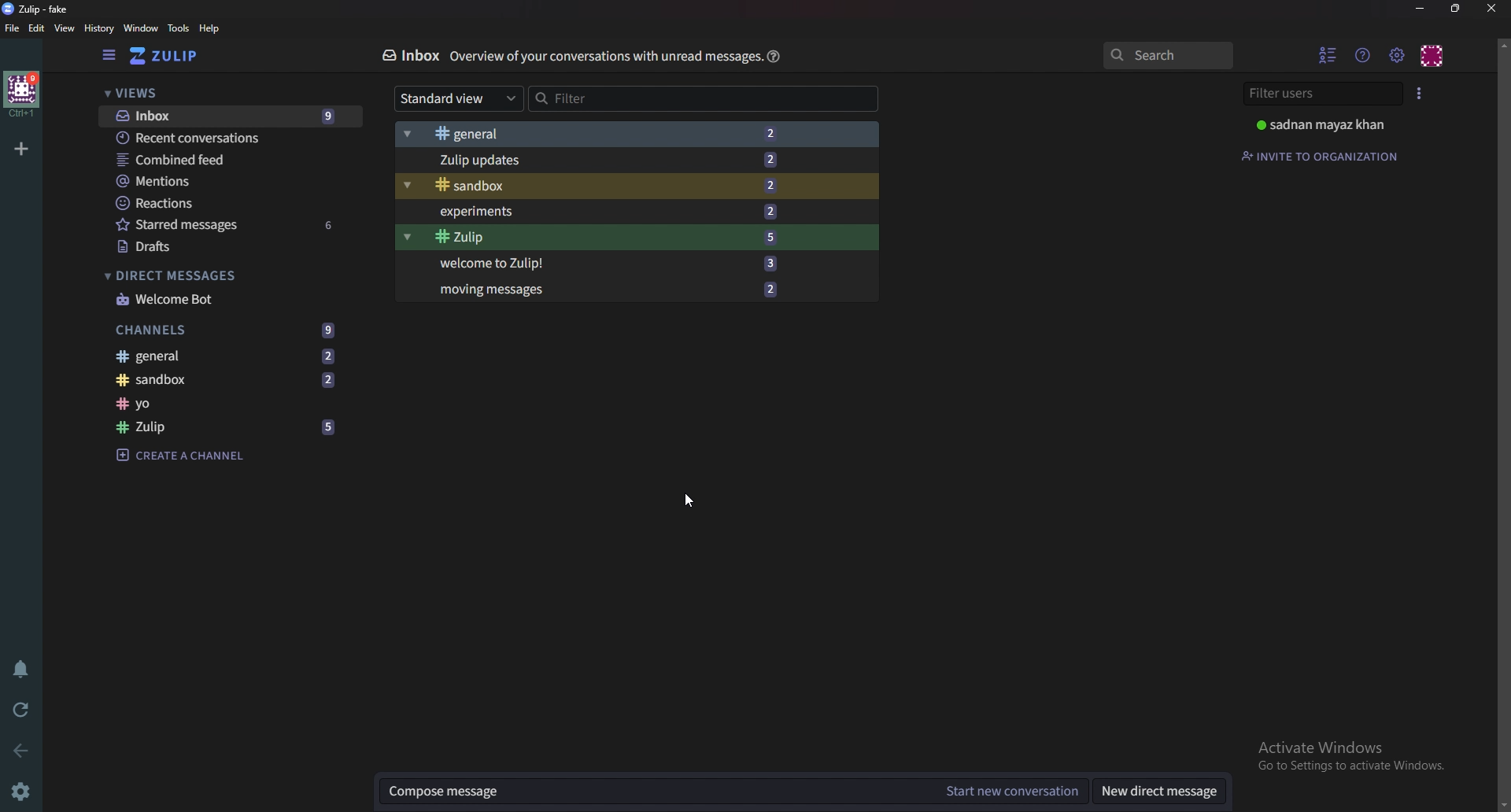 The width and height of the screenshot is (1511, 812). I want to click on New direct message, so click(1158, 791).